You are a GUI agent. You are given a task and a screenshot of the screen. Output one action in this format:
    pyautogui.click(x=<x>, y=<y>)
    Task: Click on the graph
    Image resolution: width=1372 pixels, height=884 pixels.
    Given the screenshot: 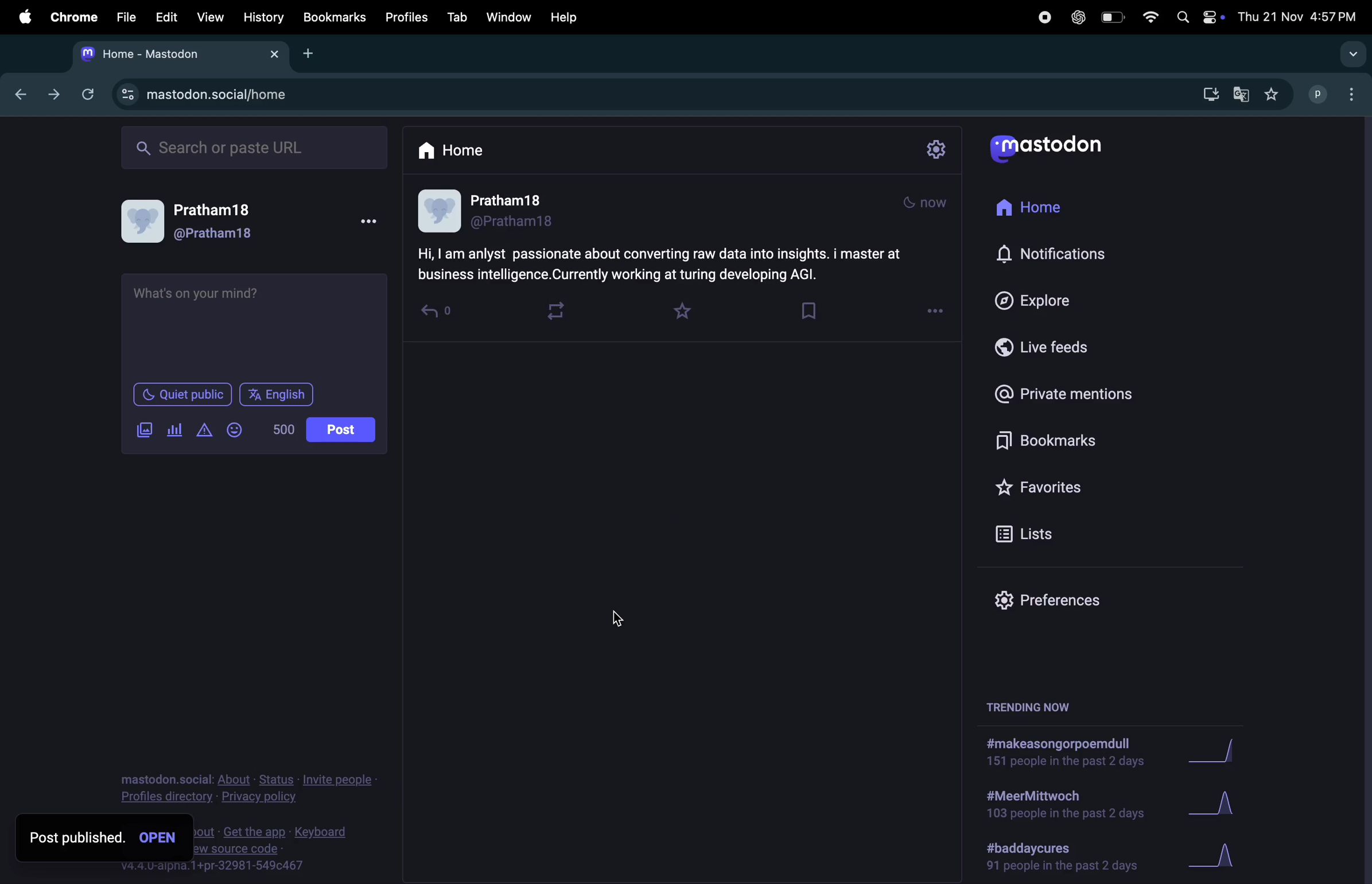 What is the action you would take?
    pyautogui.click(x=1217, y=856)
    